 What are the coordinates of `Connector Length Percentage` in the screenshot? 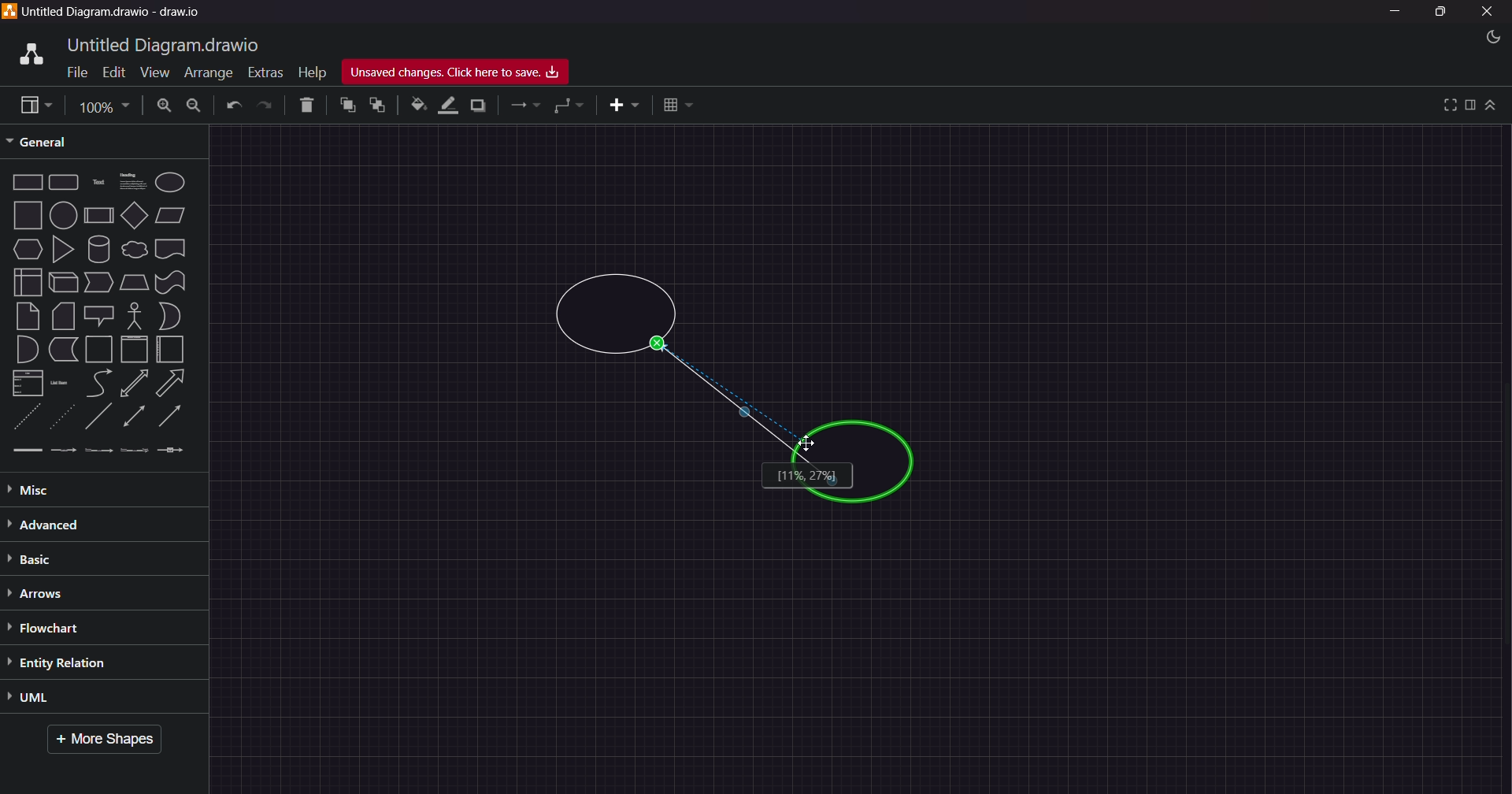 It's located at (806, 476).